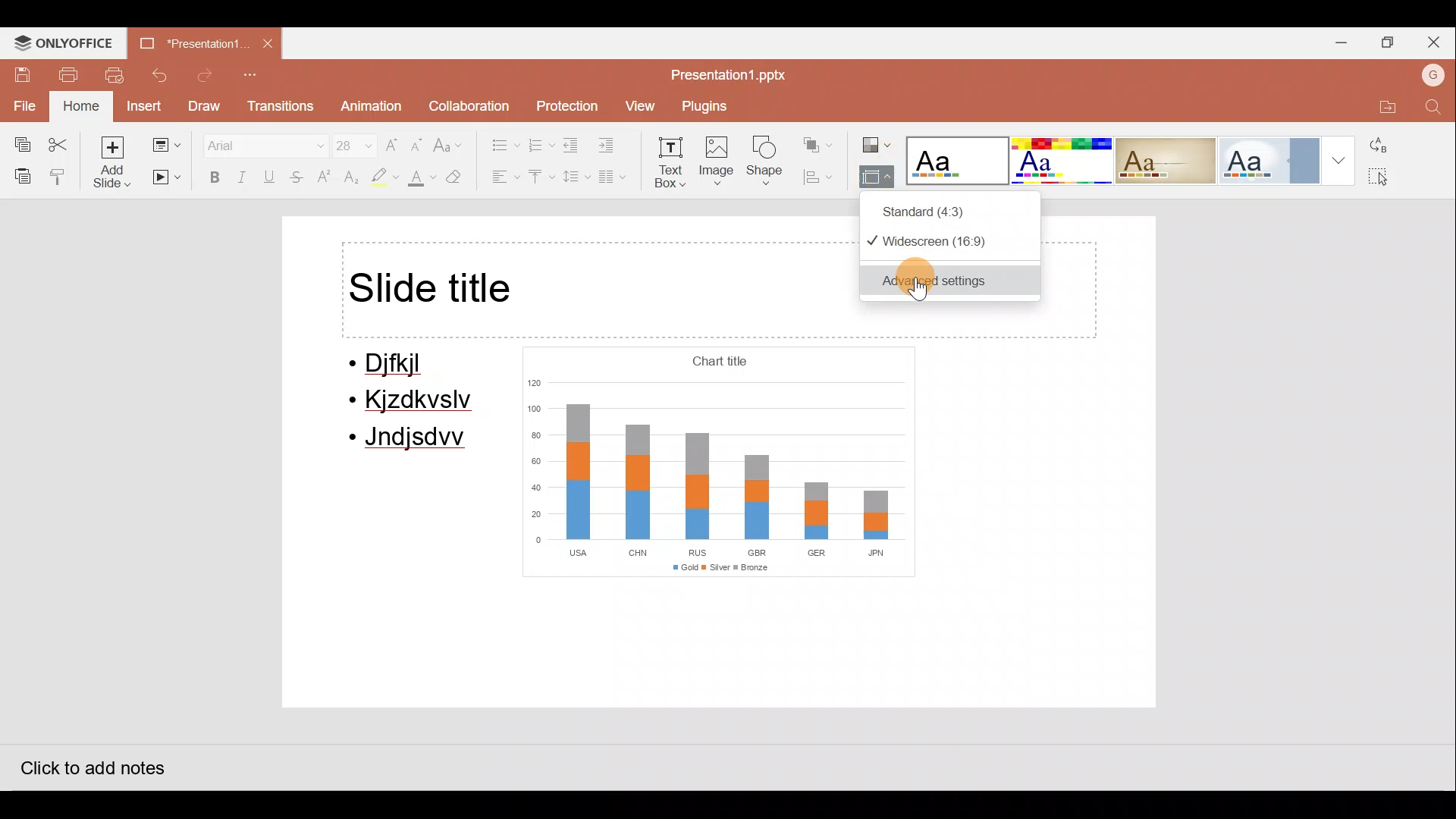 Image resolution: width=1456 pixels, height=819 pixels. Describe the element at coordinates (369, 107) in the screenshot. I see `Animation` at that location.